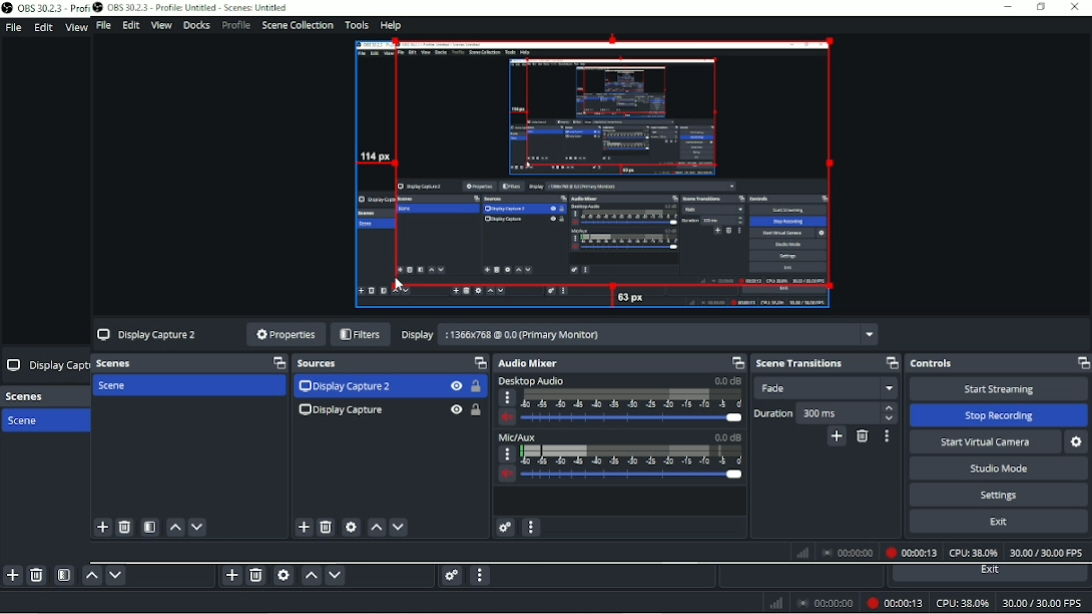 The image size is (1092, 614). Describe the element at coordinates (1077, 440) in the screenshot. I see `Settings` at that location.